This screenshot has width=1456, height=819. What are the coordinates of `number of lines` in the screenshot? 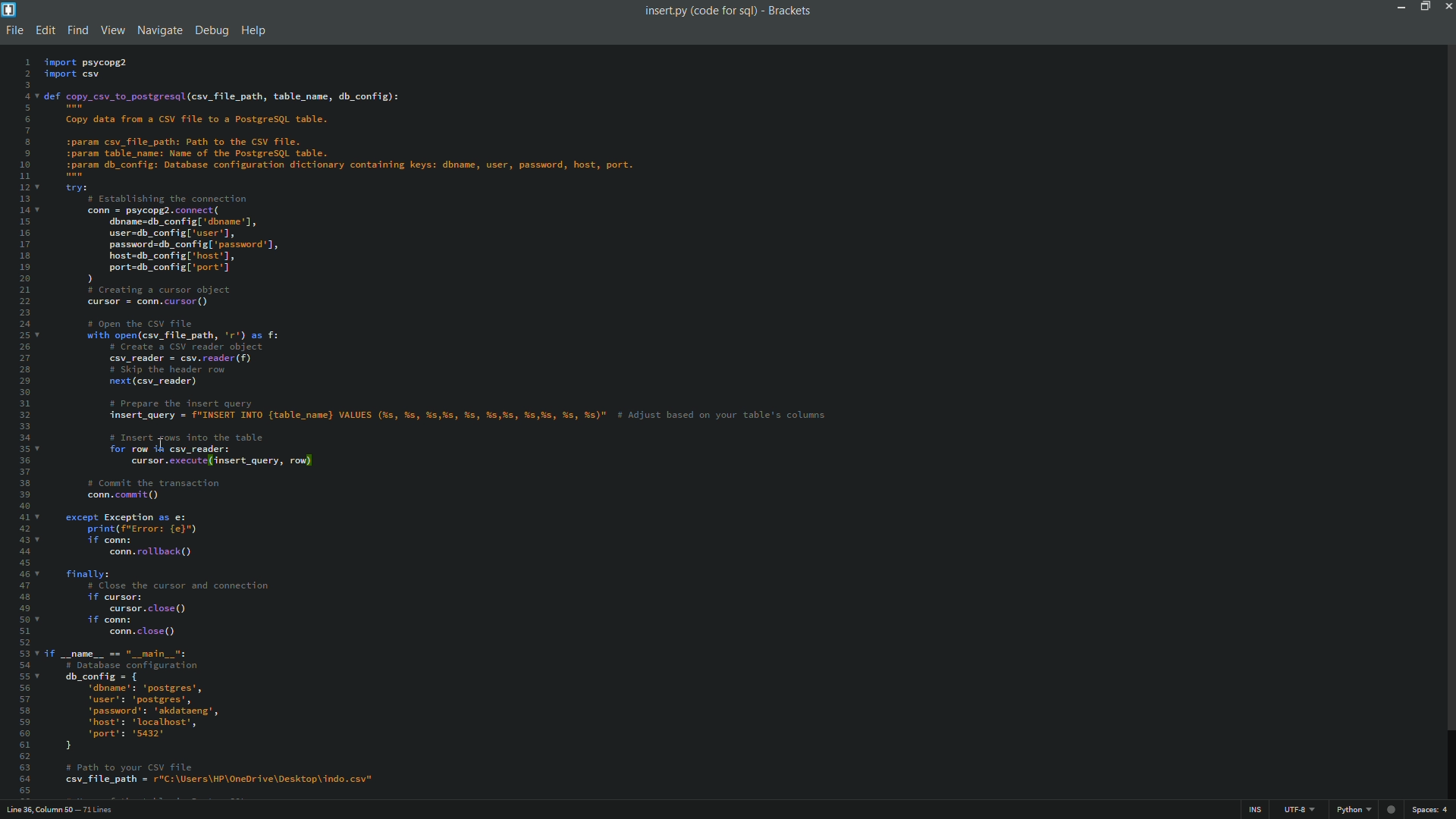 It's located at (101, 811).